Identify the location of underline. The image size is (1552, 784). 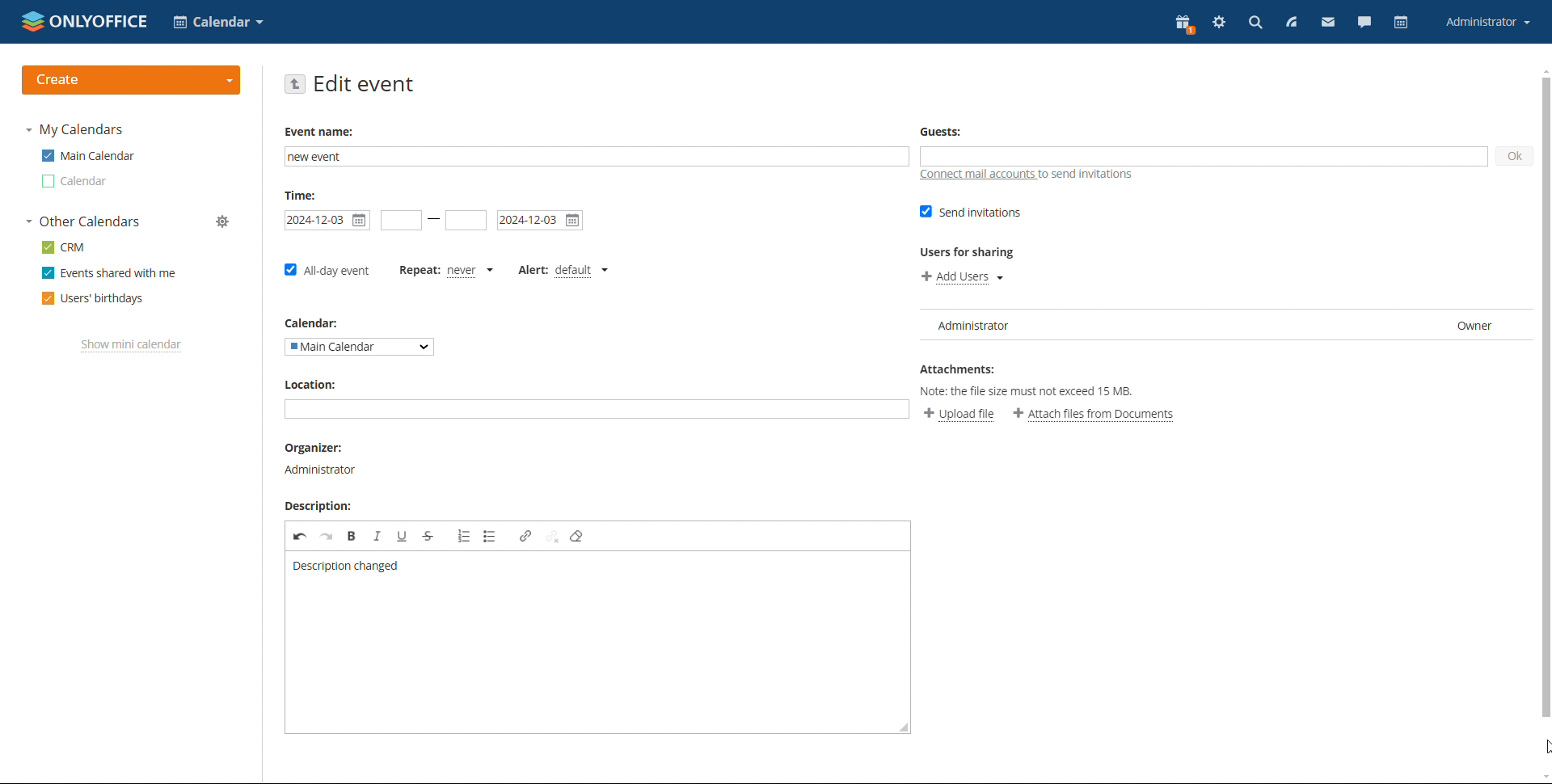
(402, 536).